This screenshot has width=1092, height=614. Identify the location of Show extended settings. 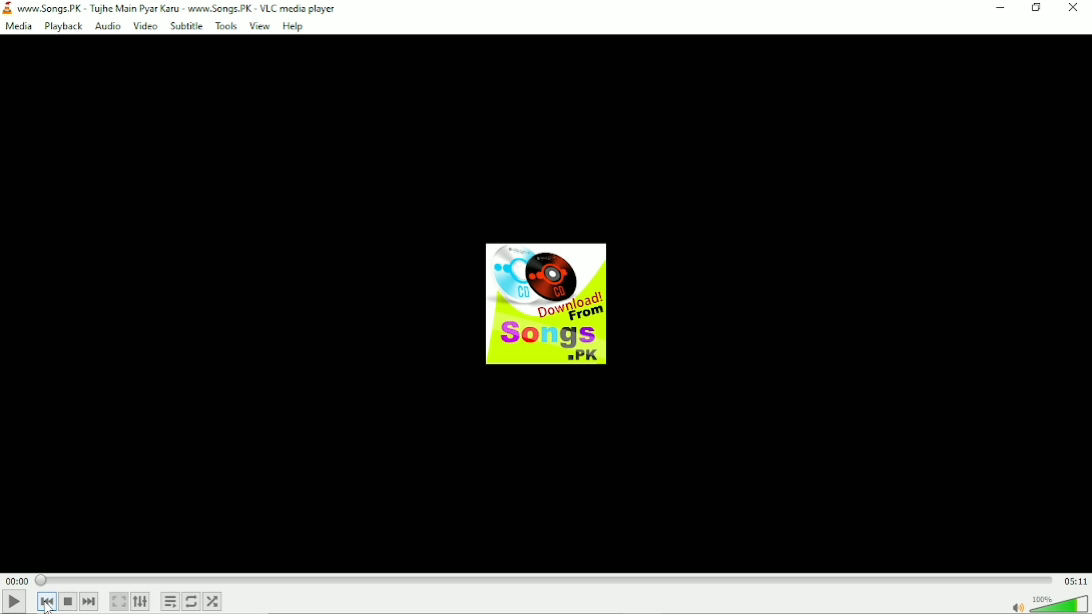
(142, 601).